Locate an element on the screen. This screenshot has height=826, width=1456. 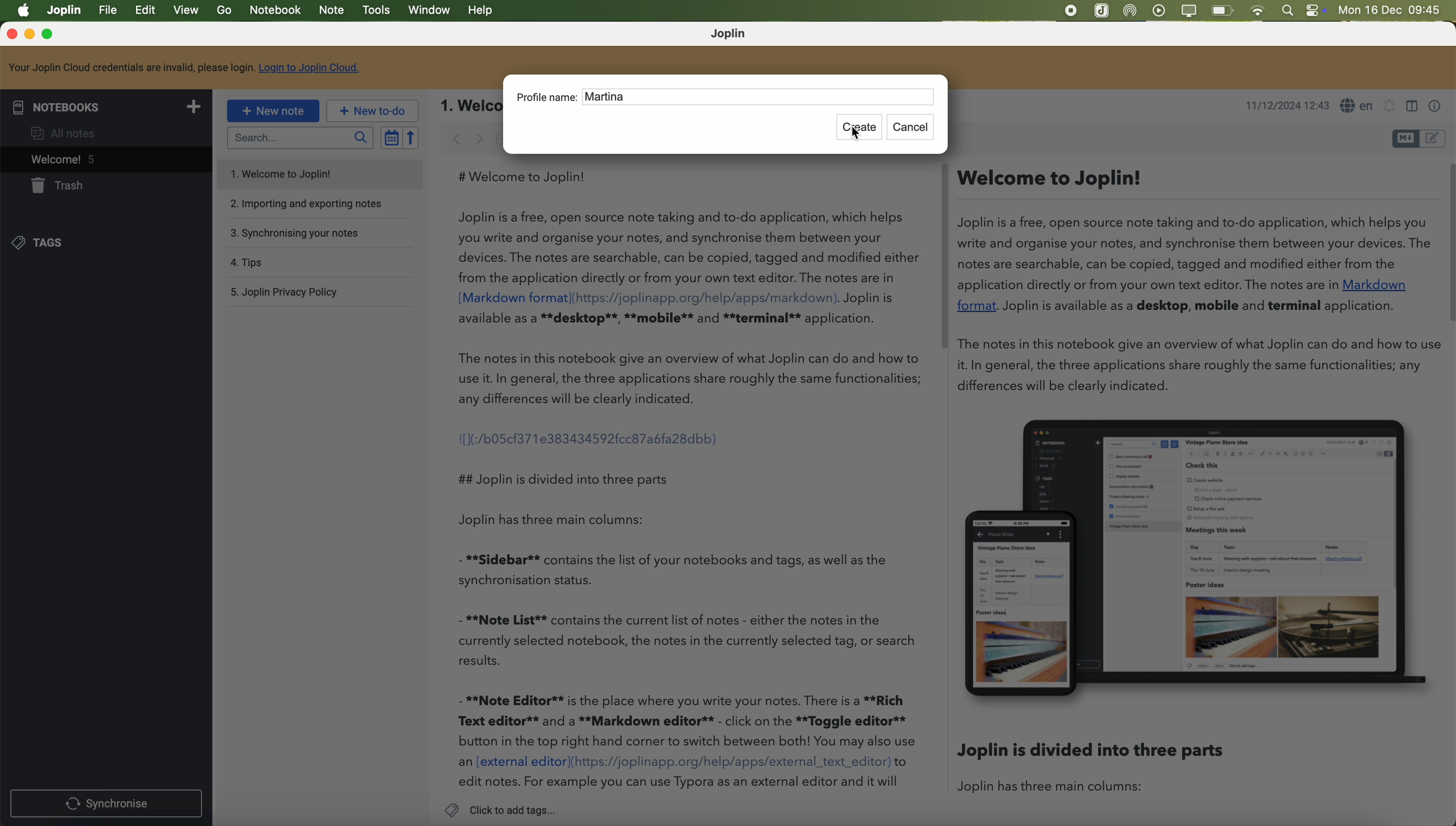
synchronise is located at coordinates (107, 802).